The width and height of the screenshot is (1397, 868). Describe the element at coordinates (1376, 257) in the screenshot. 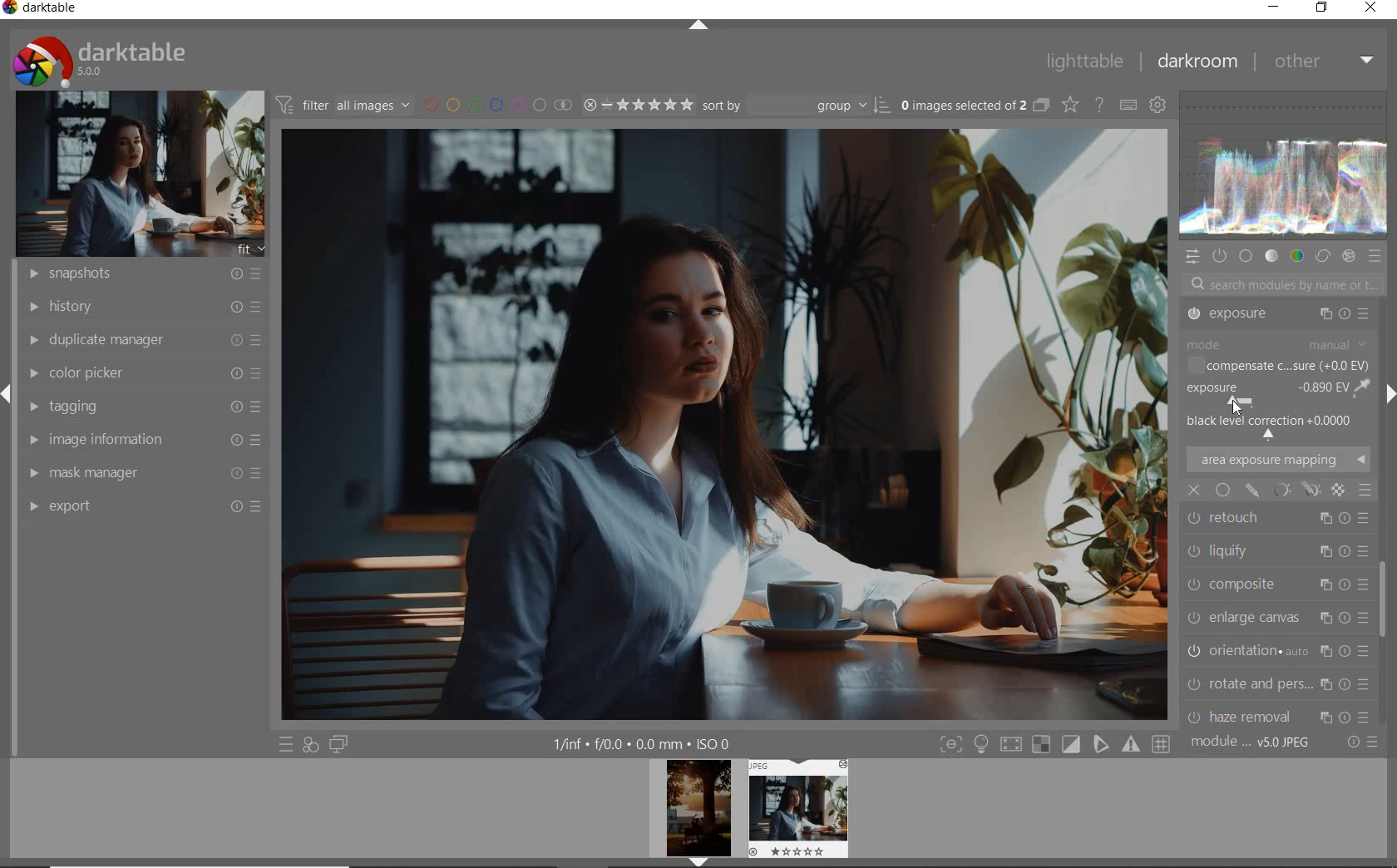

I see `PRESET` at that location.